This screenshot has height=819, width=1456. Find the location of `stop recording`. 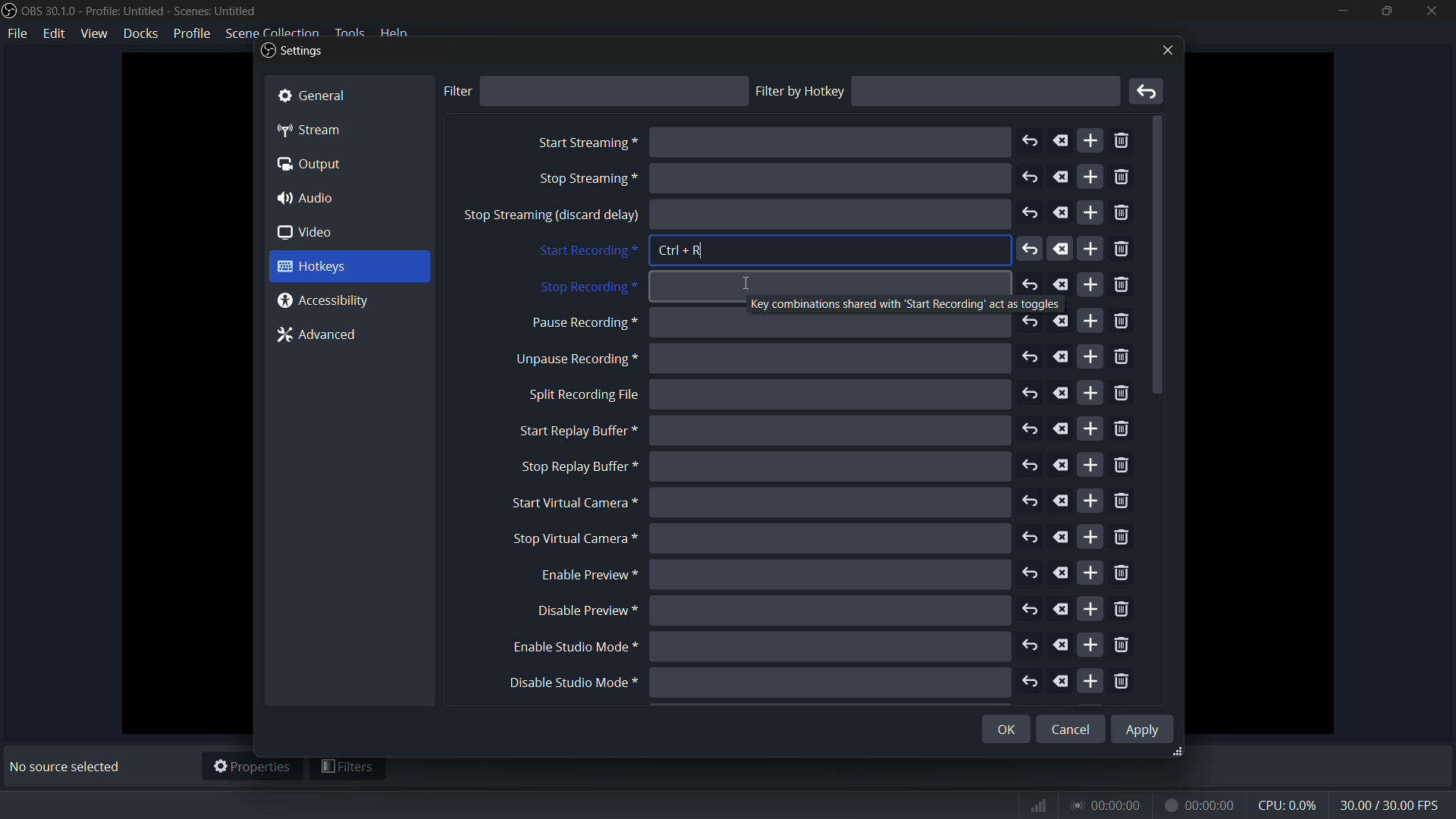

stop recording is located at coordinates (586, 288).